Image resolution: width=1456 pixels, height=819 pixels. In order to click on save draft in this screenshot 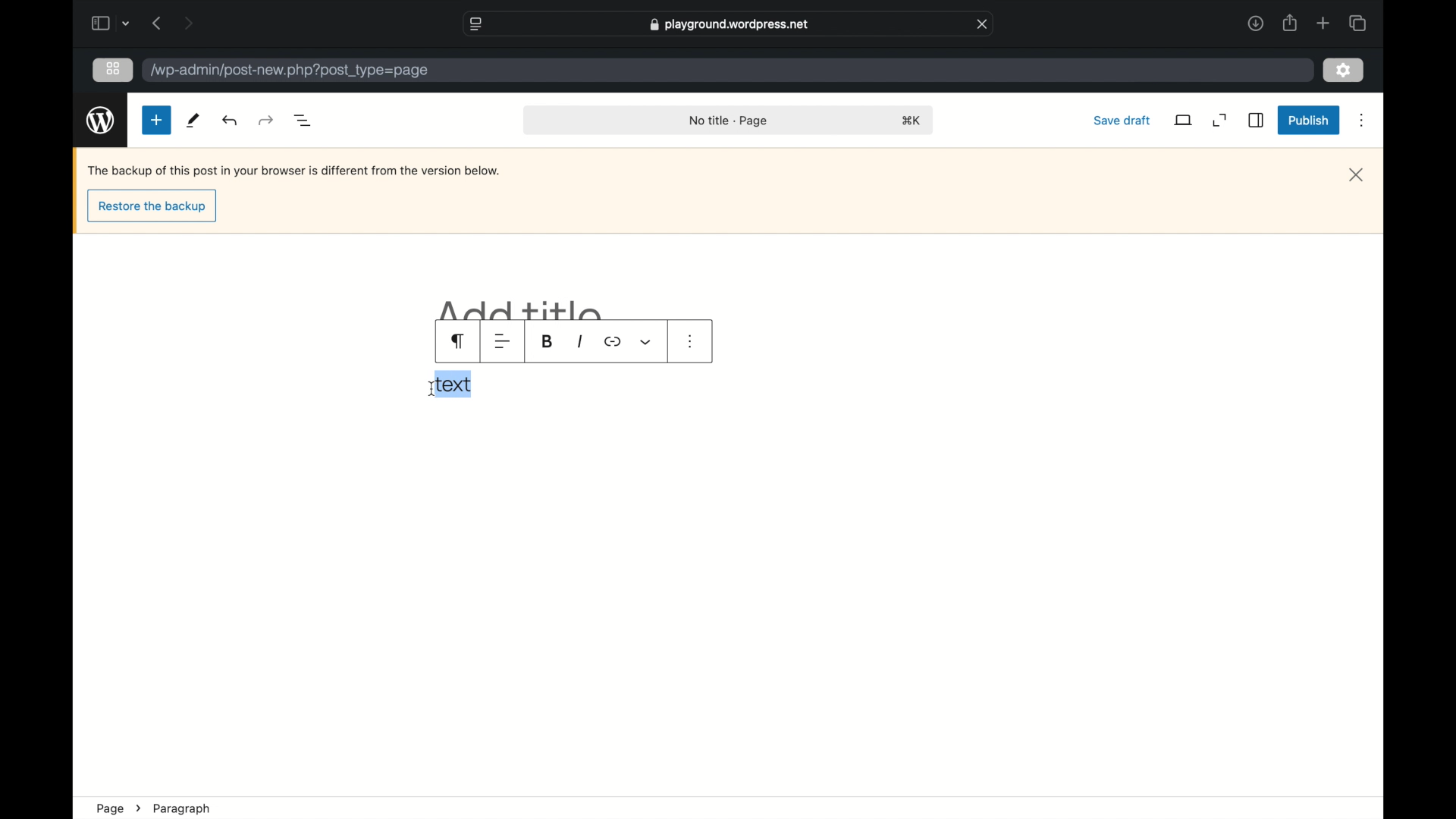, I will do `click(1121, 120)`.